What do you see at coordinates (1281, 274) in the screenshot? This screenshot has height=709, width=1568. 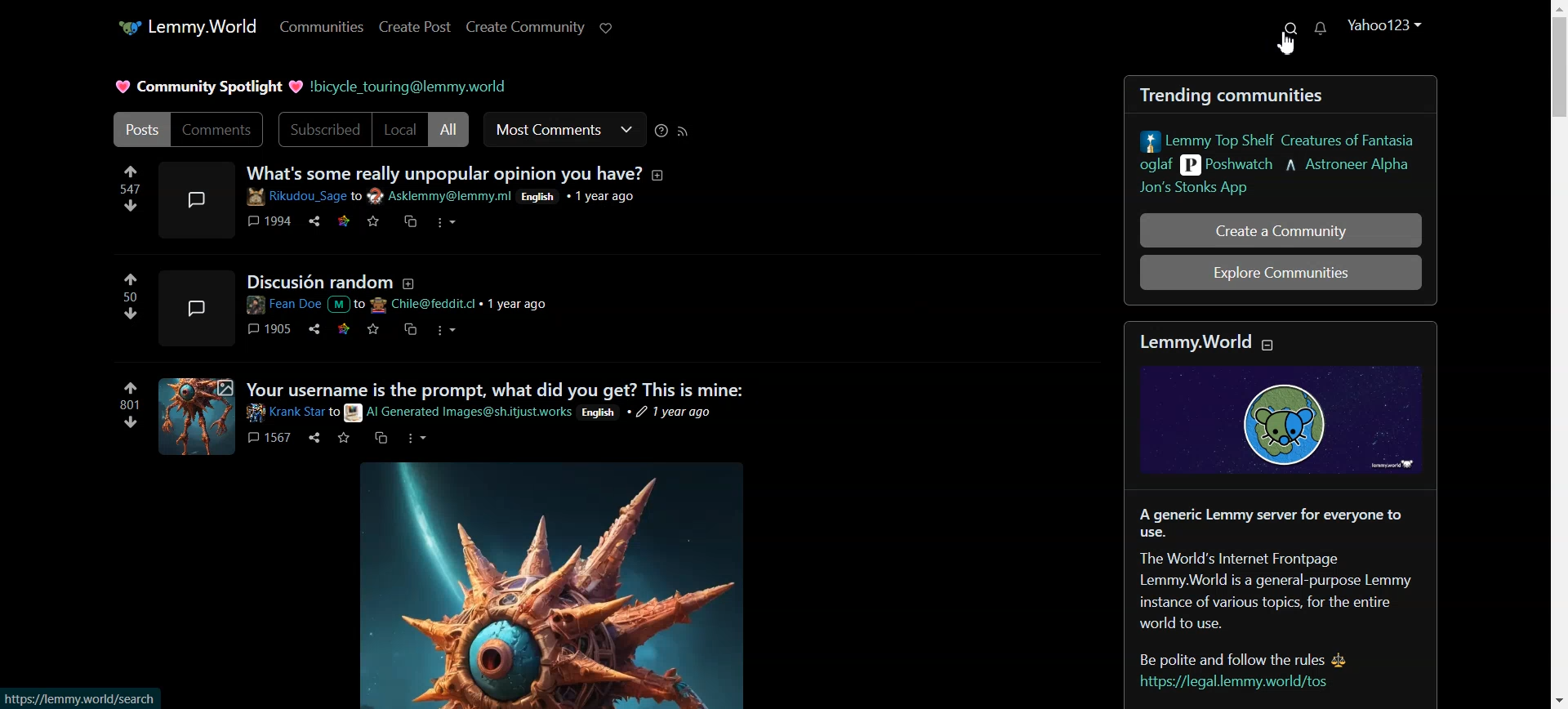 I see `Explore Communities` at bounding box center [1281, 274].